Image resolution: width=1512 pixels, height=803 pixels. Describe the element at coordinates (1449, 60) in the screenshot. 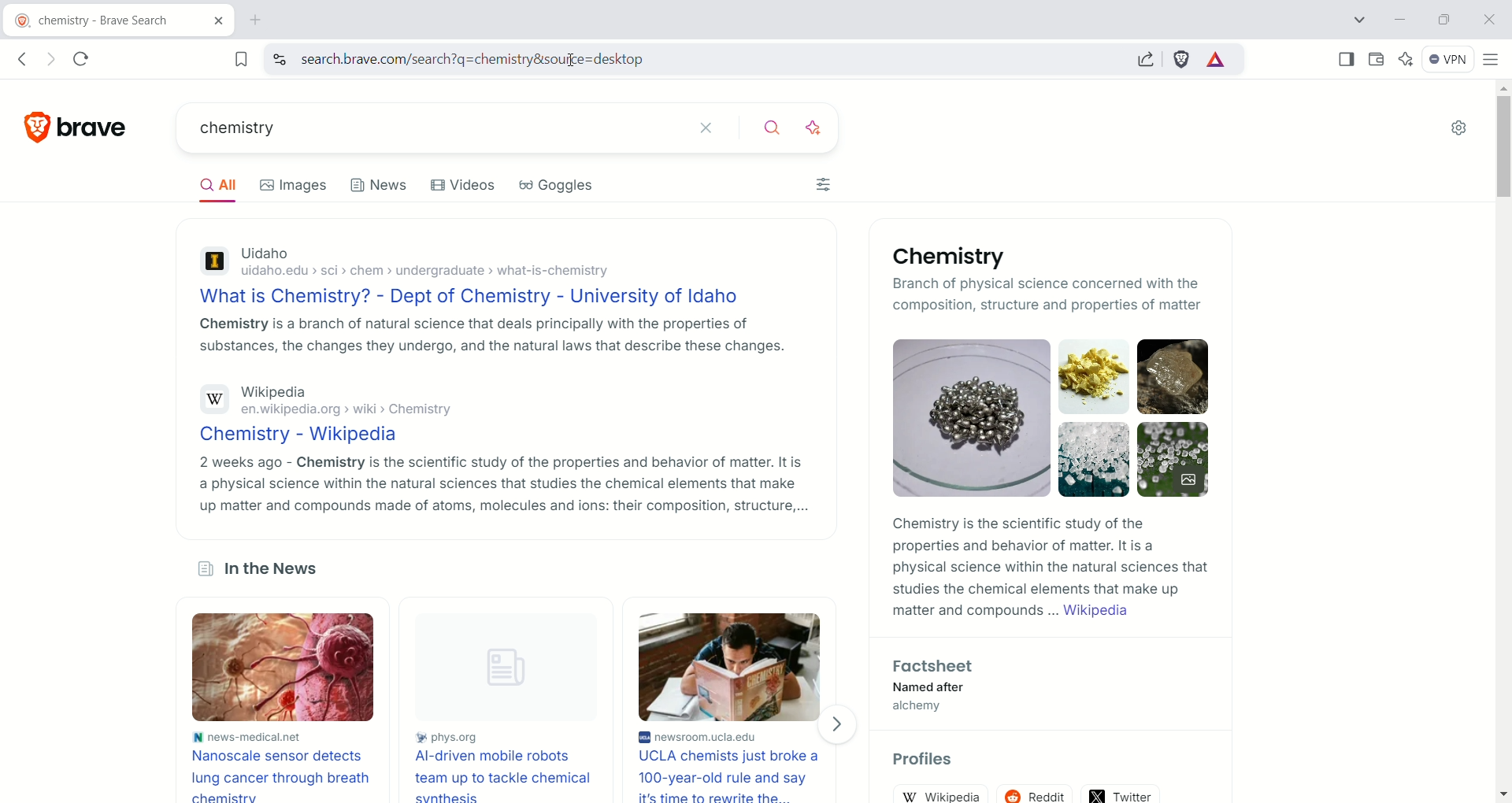

I see `VPN` at that location.